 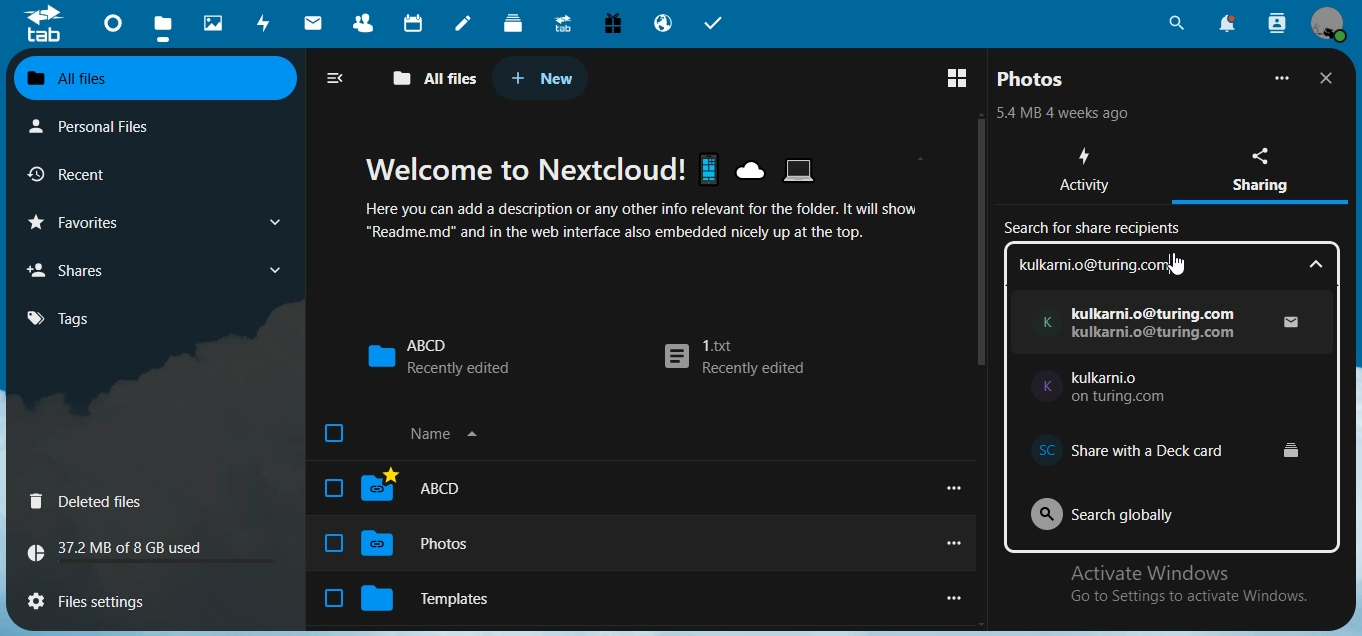 What do you see at coordinates (1157, 324) in the screenshot?
I see `mail id` at bounding box center [1157, 324].